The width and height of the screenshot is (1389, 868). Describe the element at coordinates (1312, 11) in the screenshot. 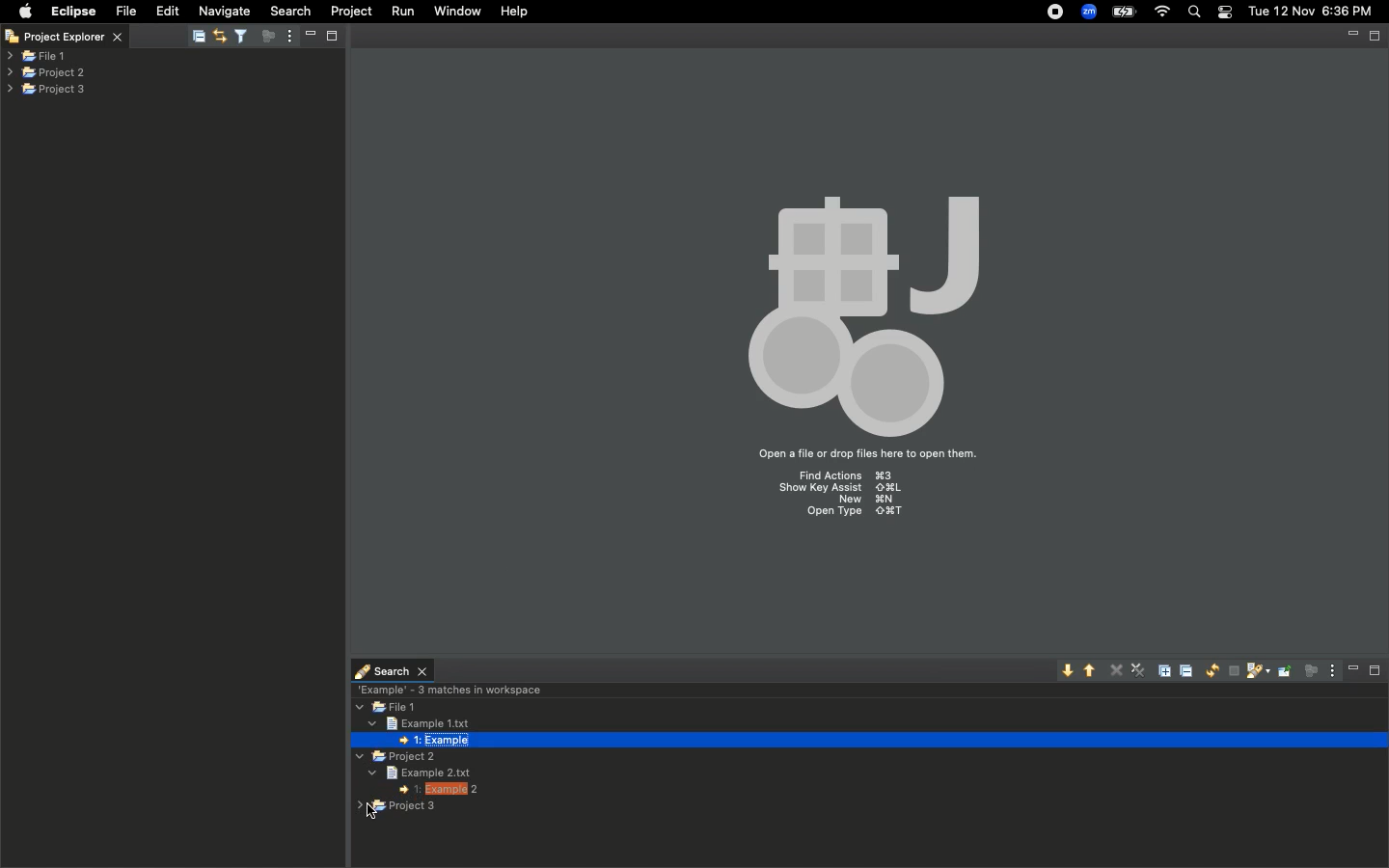

I see `Date/time` at that location.